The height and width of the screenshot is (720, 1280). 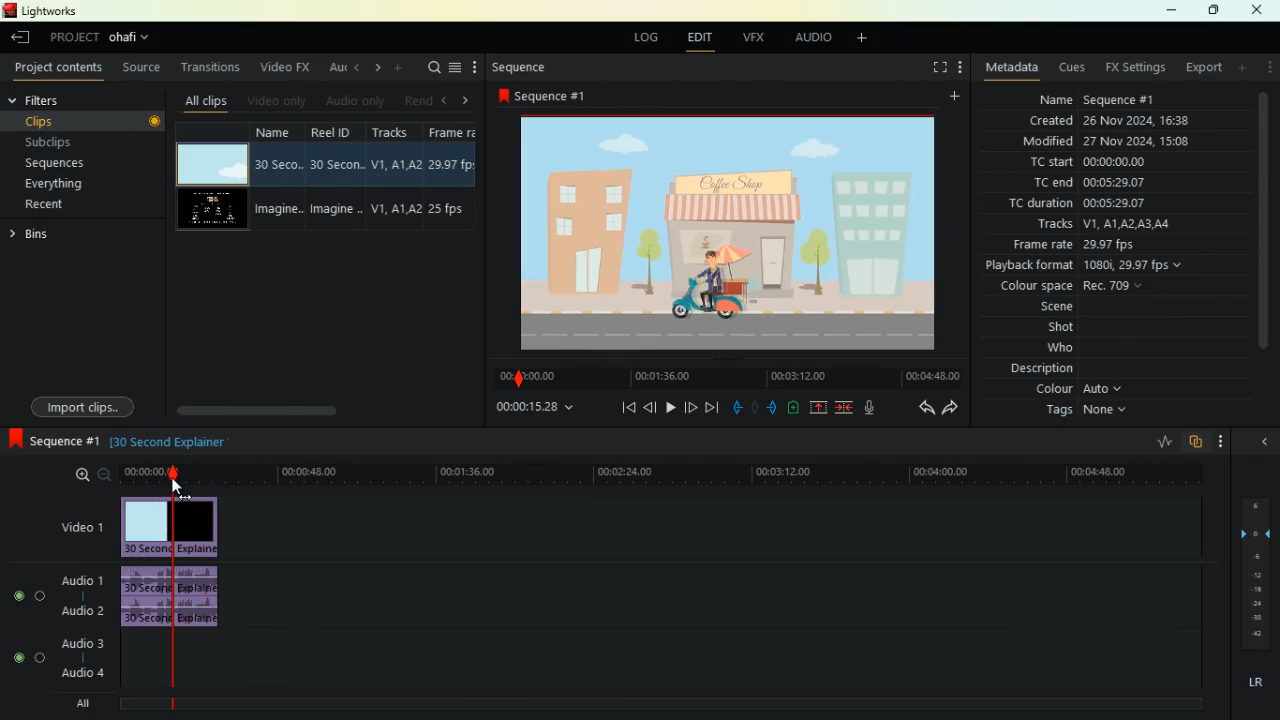 What do you see at coordinates (522, 68) in the screenshot?
I see `sequence` at bounding box center [522, 68].